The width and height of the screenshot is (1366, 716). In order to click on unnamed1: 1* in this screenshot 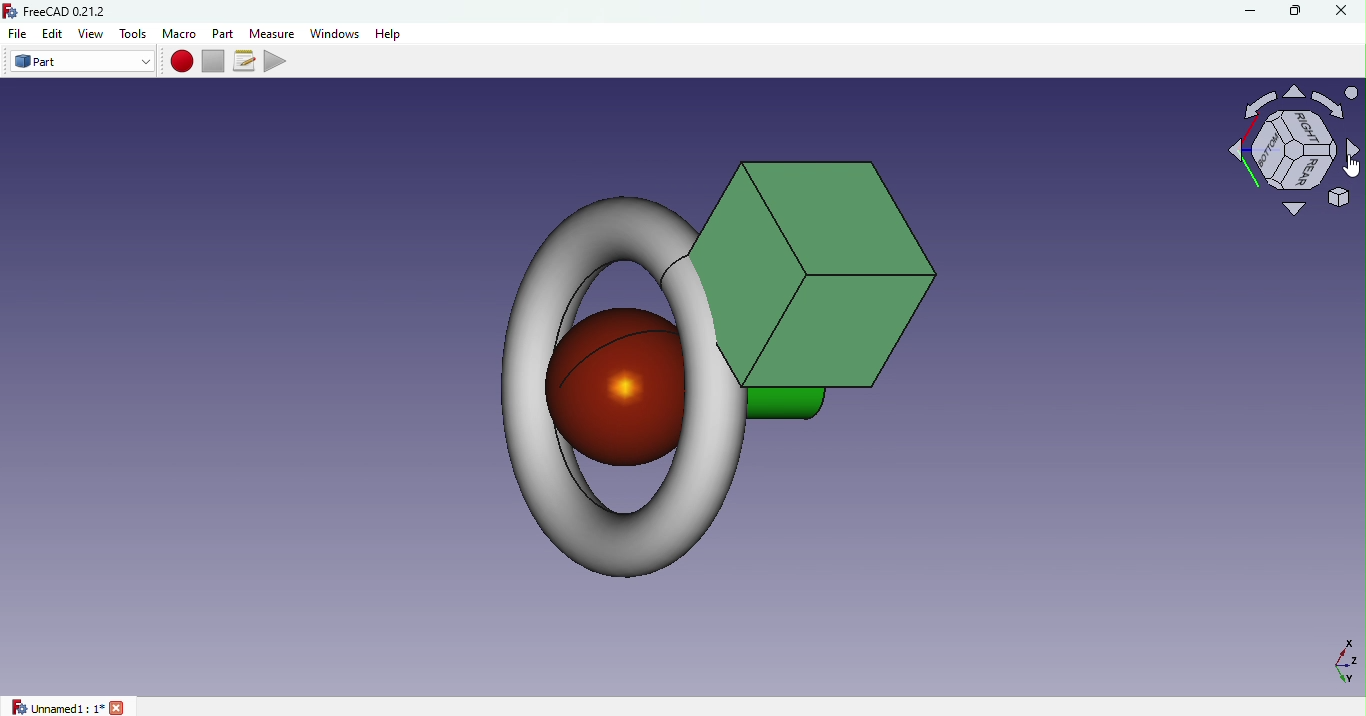, I will do `click(67, 706)`.